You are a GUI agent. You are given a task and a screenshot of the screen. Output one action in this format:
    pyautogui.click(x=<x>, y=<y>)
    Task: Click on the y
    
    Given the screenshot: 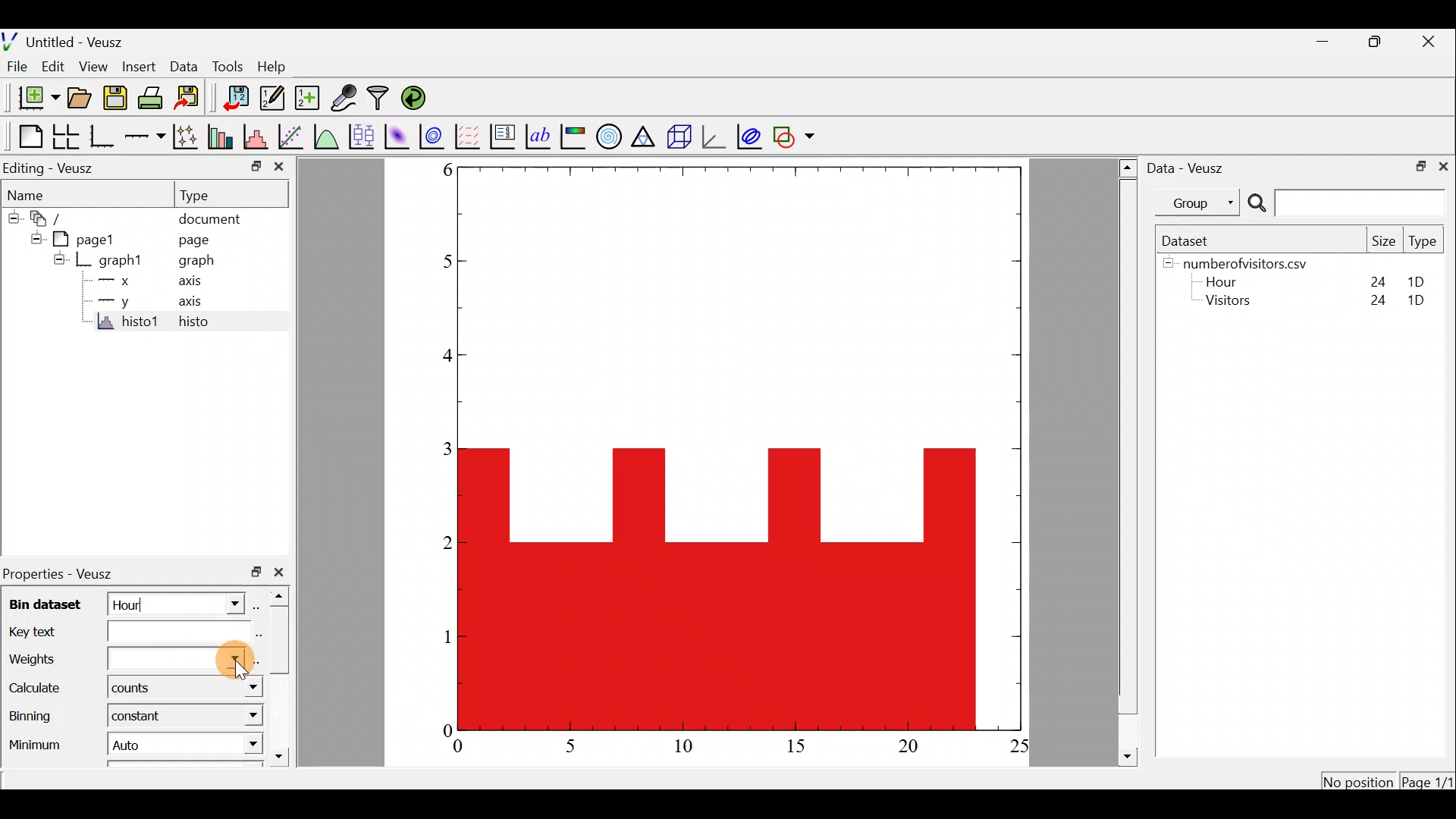 What is the action you would take?
    pyautogui.click(x=127, y=304)
    